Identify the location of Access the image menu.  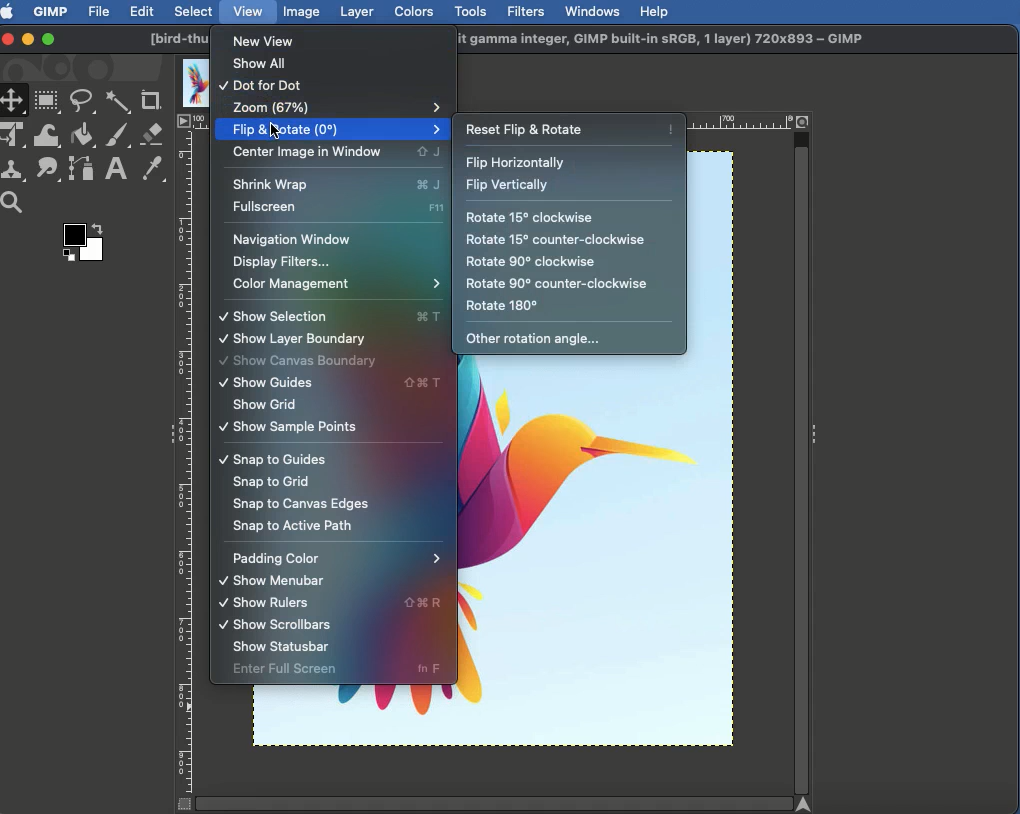
(184, 122).